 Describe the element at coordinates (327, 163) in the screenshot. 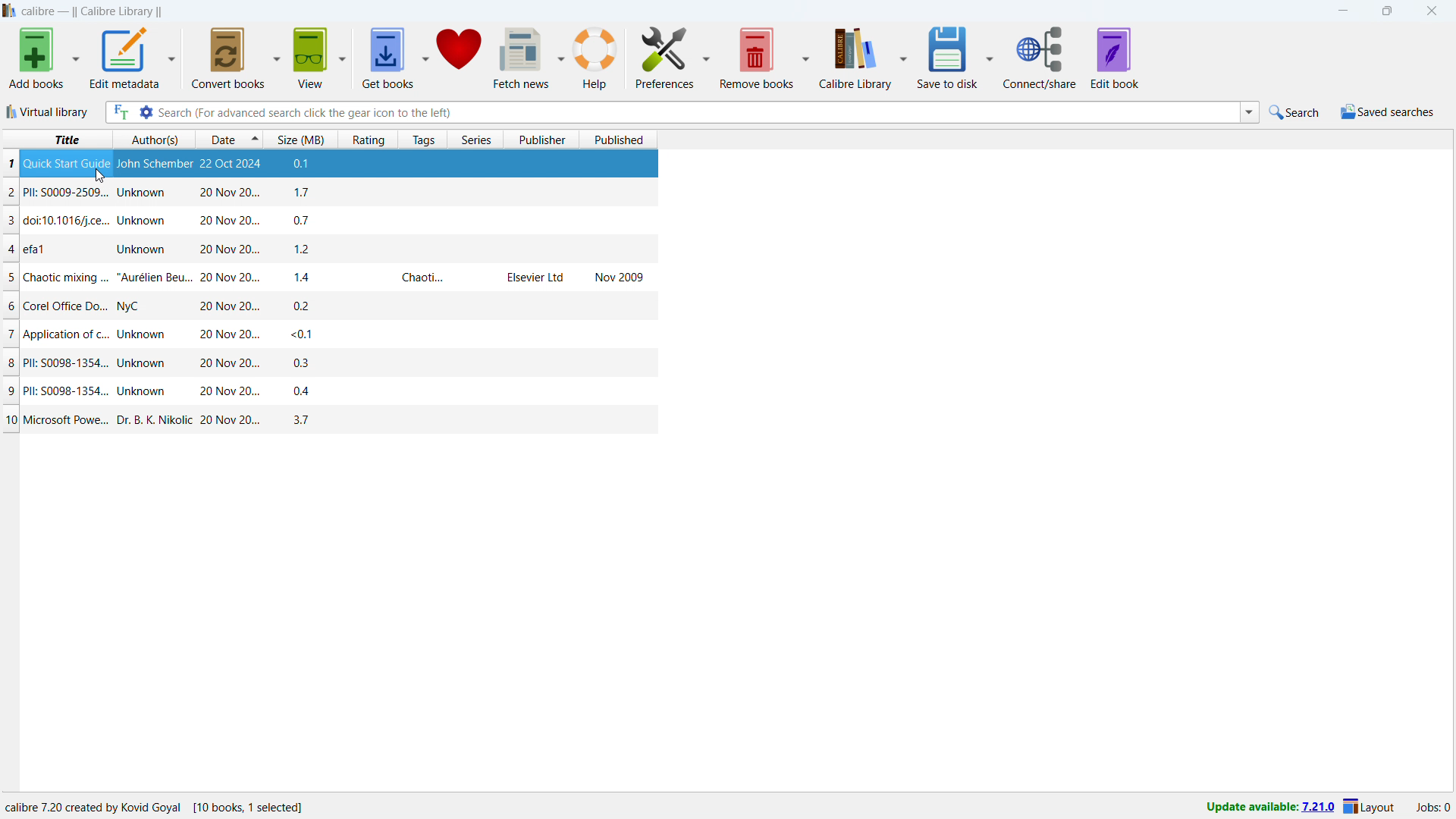

I see `book selected` at that location.